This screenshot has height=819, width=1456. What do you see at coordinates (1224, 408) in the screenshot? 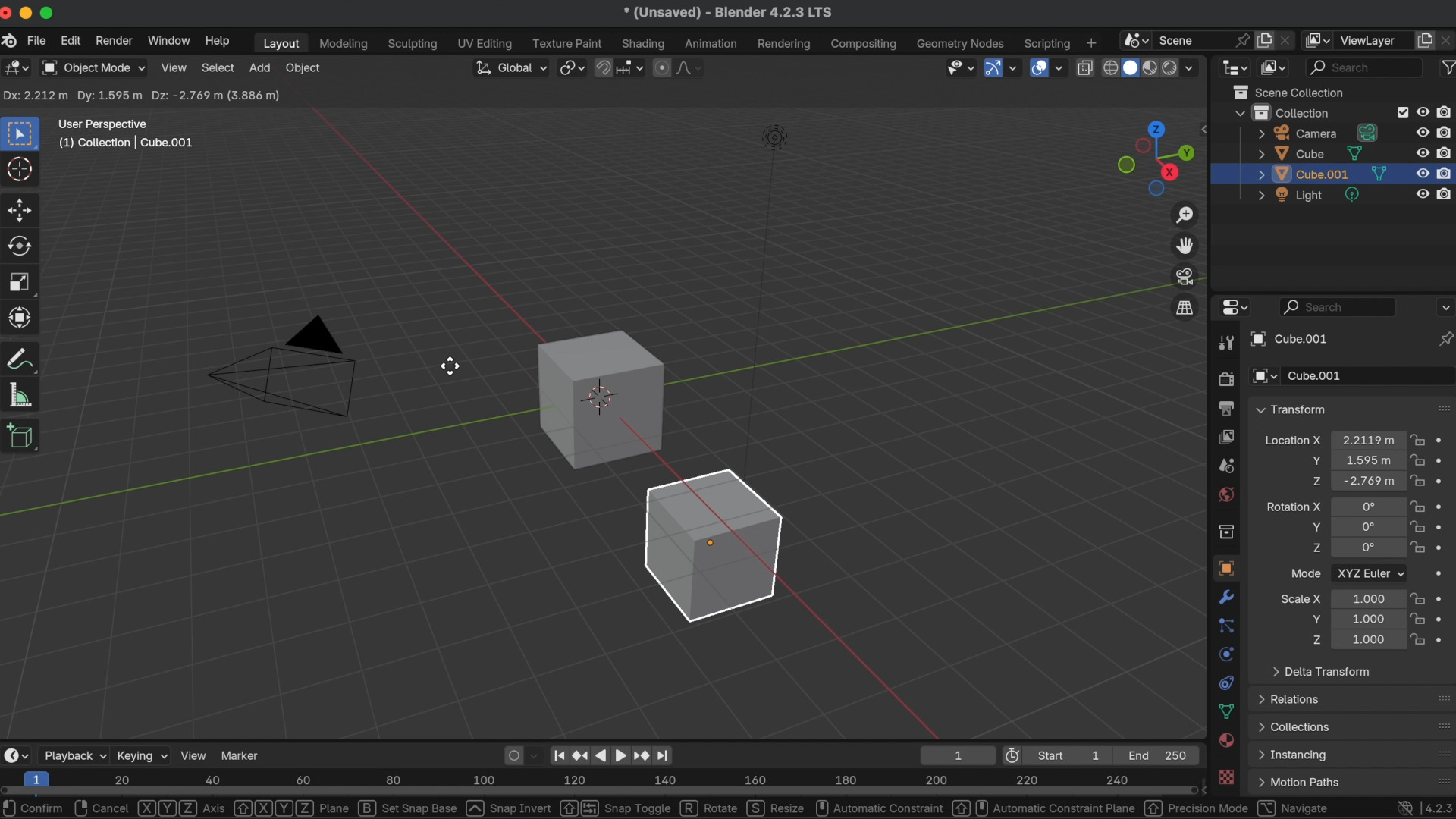
I see `output` at bounding box center [1224, 408].